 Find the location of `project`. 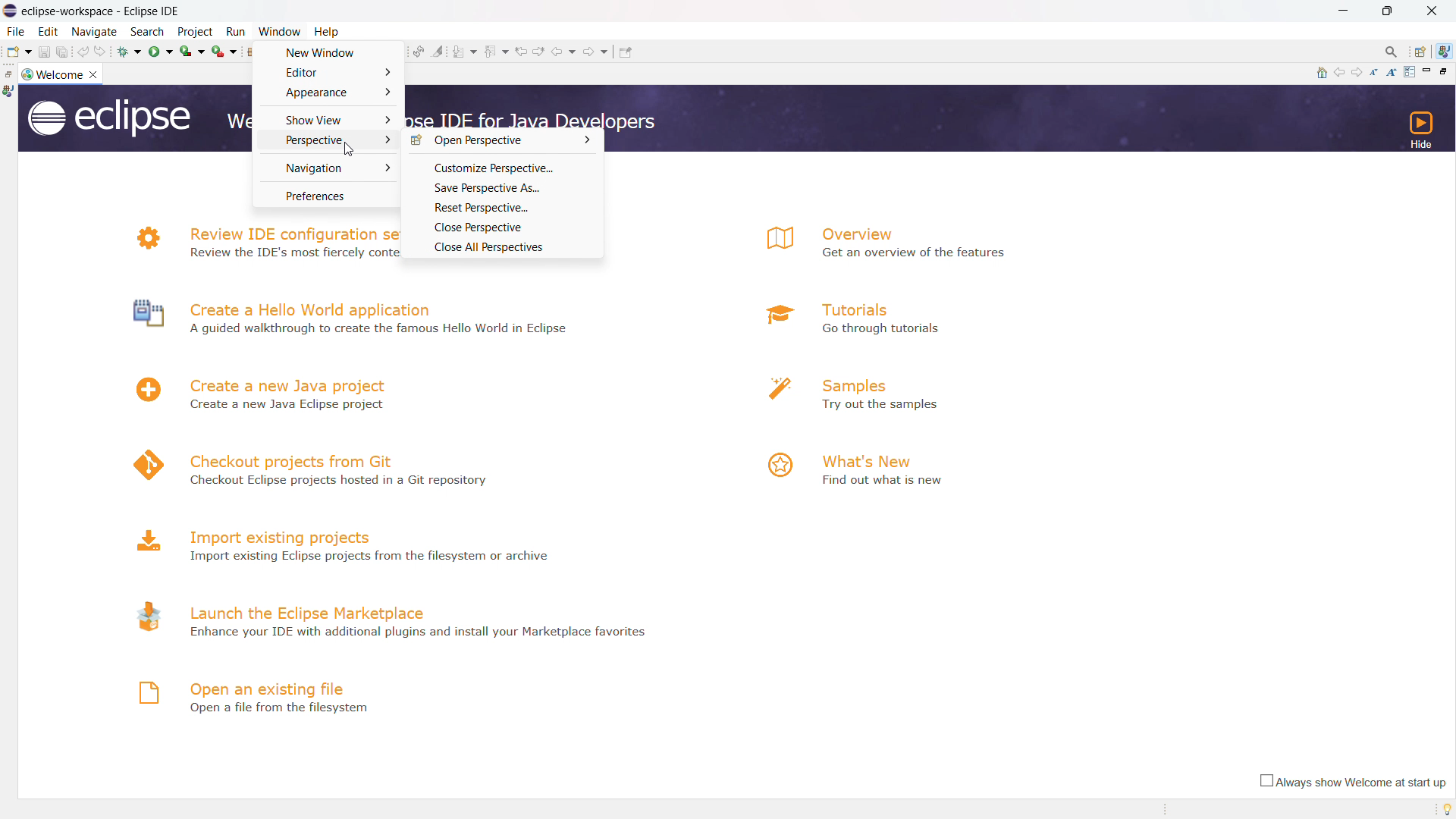

project is located at coordinates (196, 31).